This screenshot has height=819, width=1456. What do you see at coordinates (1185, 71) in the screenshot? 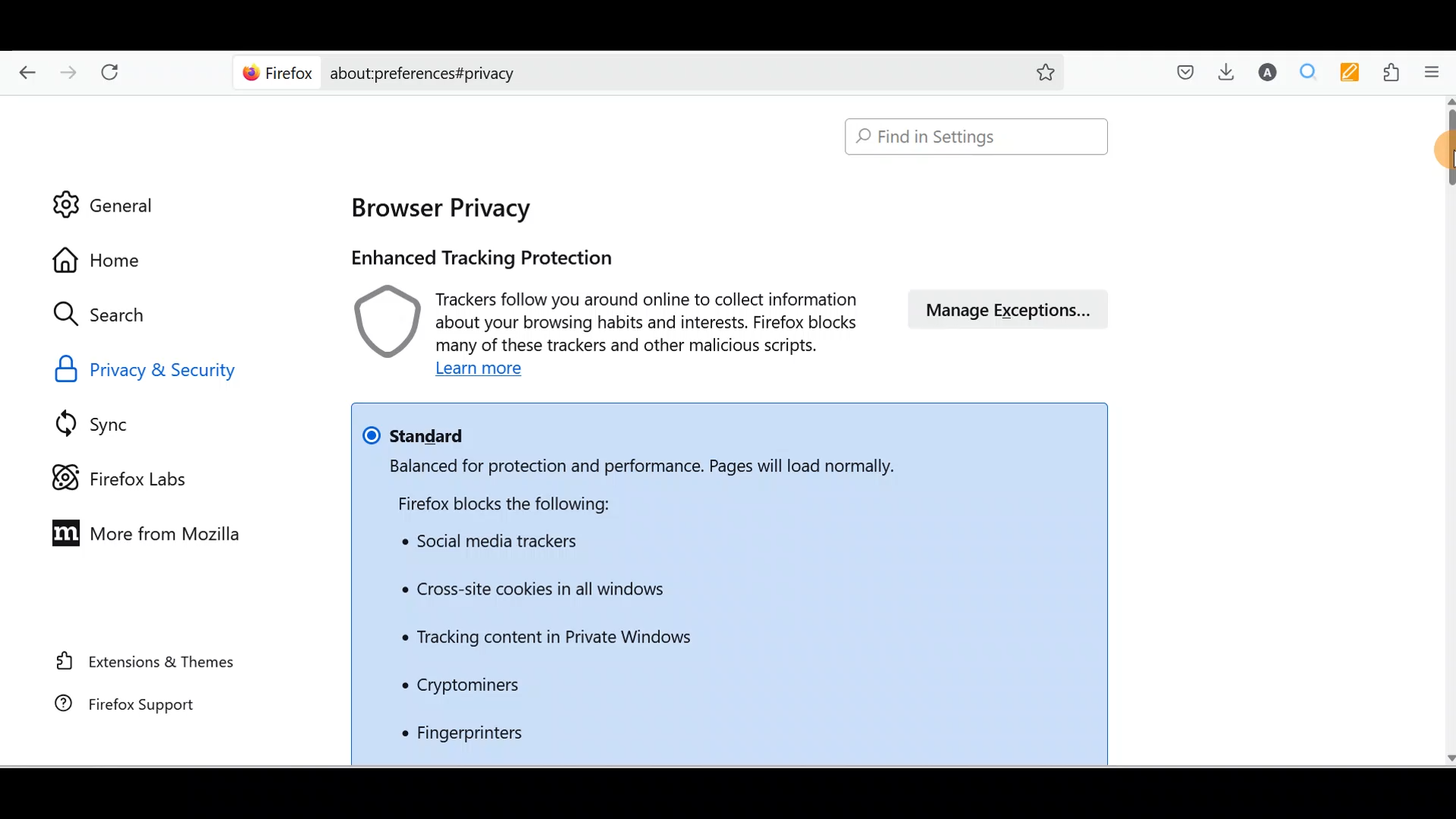
I see `Save to pocket` at bounding box center [1185, 71].